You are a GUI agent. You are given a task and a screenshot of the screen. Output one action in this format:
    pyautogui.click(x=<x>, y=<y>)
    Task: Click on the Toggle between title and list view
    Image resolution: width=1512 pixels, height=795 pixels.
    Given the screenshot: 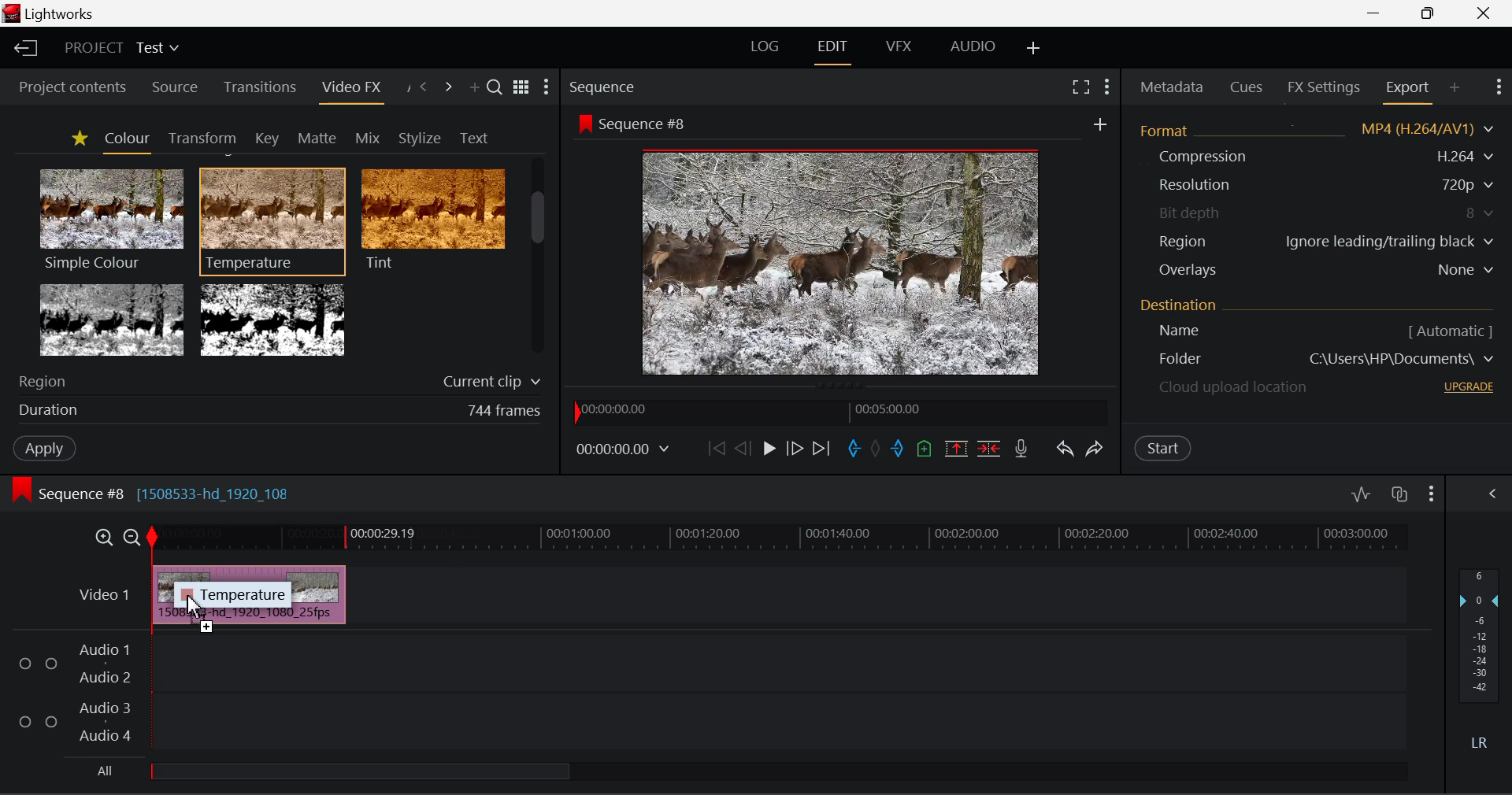 What is the action you would take?
    pyautogui.click(x=523, y=88)
    